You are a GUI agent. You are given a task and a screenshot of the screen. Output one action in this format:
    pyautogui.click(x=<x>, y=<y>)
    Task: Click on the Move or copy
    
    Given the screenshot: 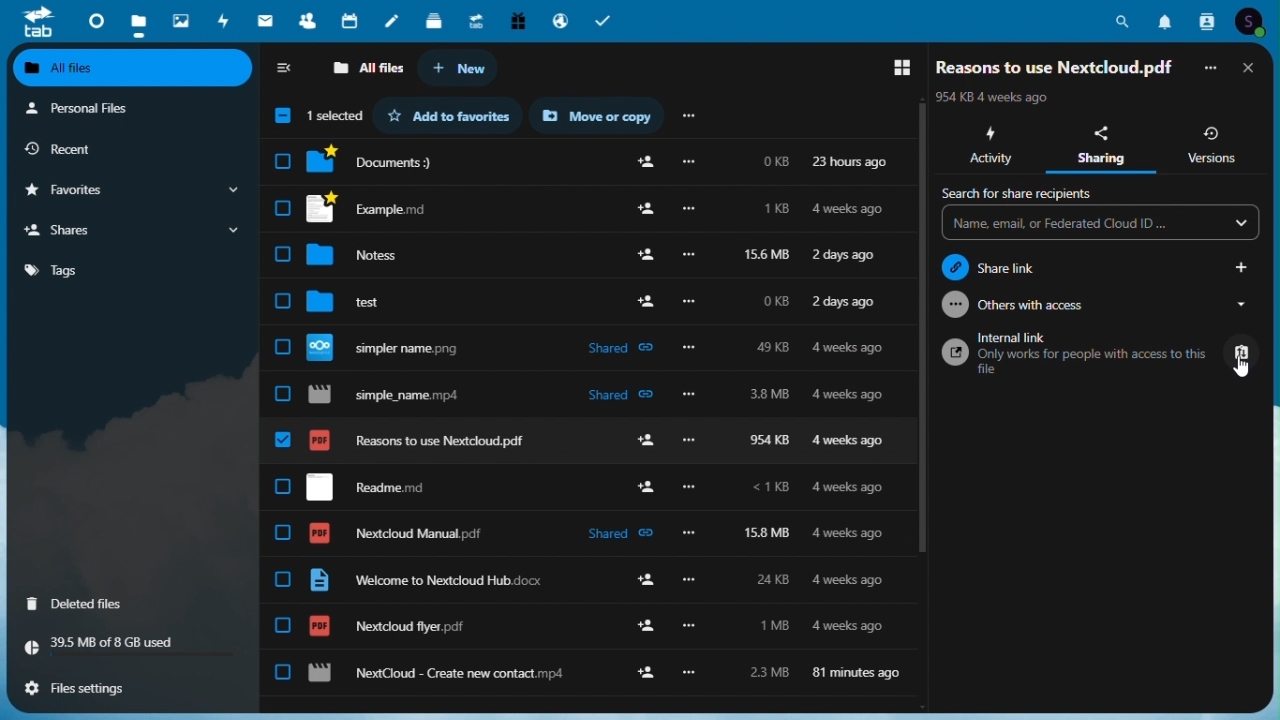 What is the action you would take?
    pyautogui.click(x=596, y=115)
    